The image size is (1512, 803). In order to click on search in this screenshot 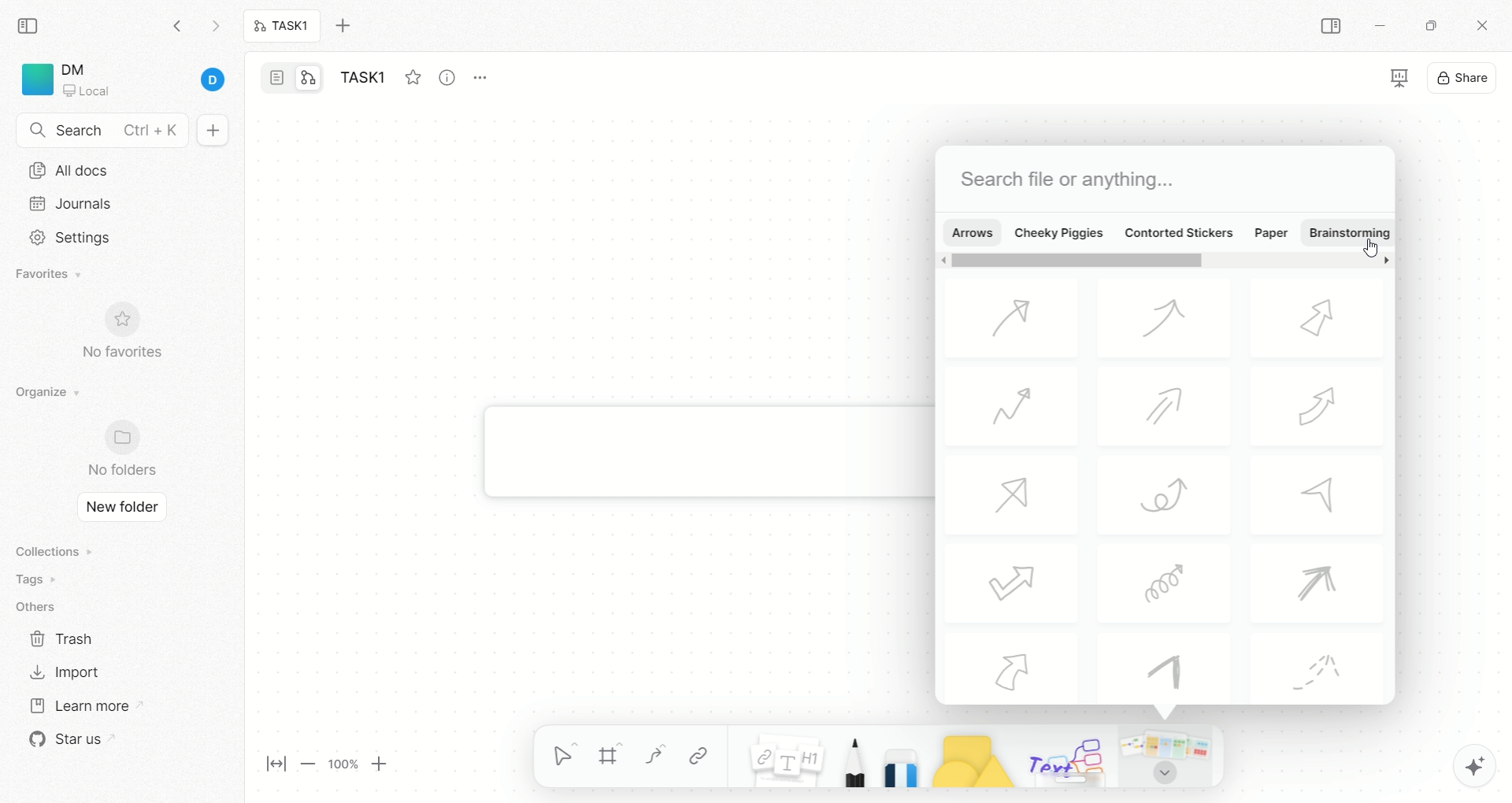, I will do `click(102, 131)`.